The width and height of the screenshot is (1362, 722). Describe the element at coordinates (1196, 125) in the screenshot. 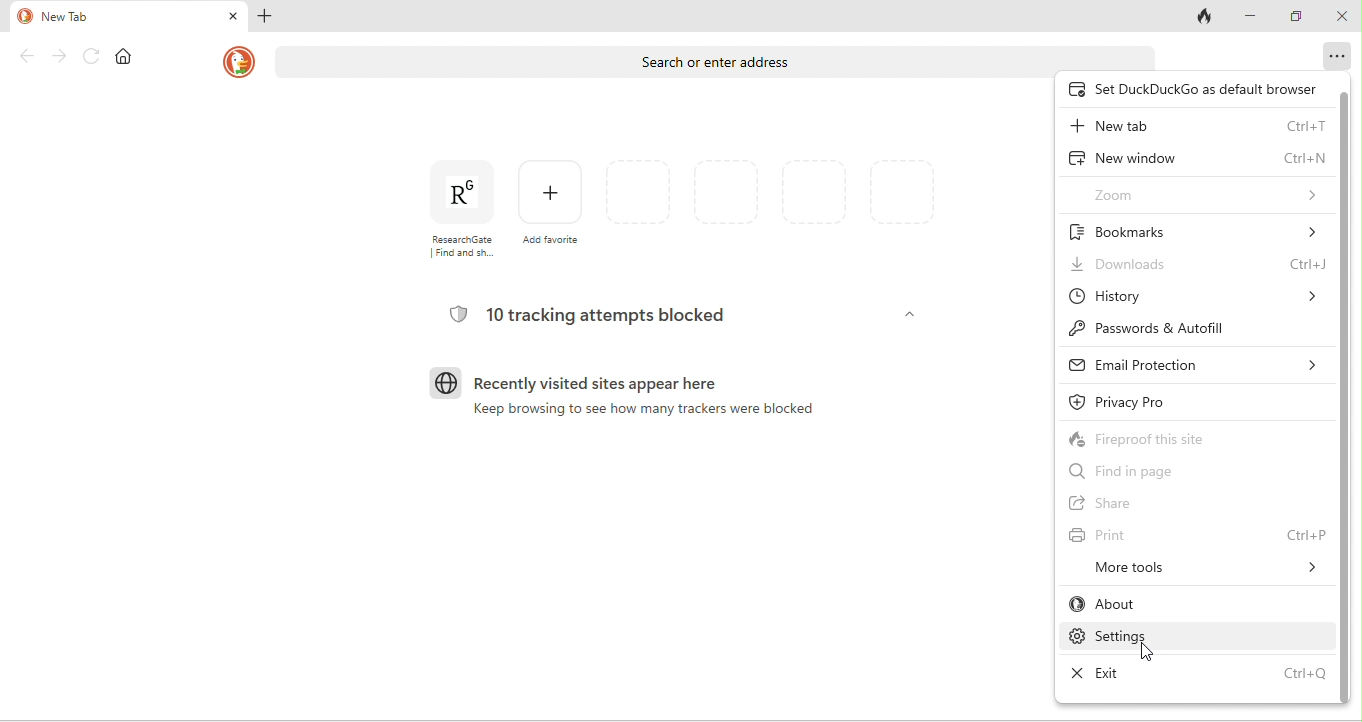

I see `new tab` at that location.